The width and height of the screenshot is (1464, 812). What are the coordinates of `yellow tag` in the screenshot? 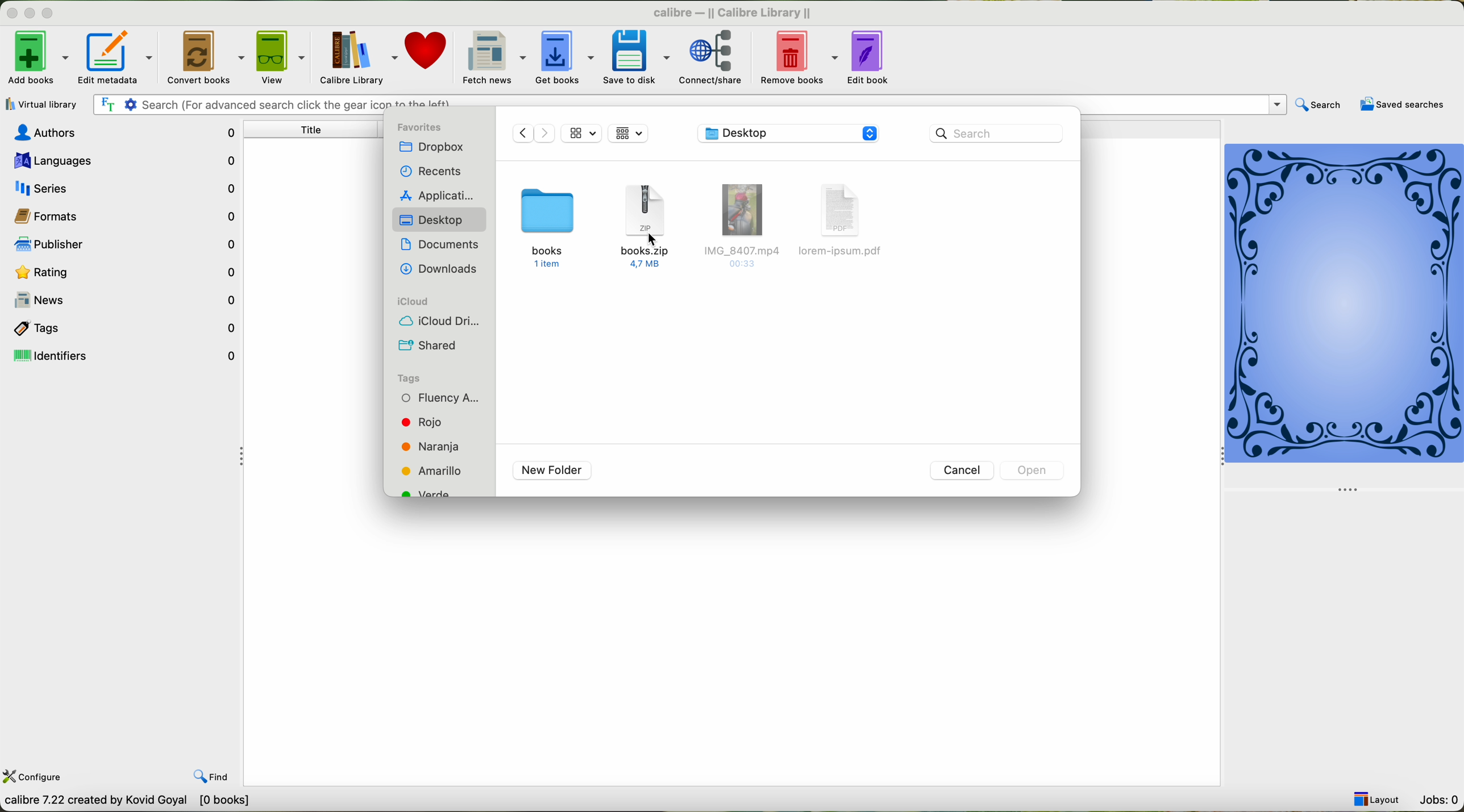 It's located at (434, 471).